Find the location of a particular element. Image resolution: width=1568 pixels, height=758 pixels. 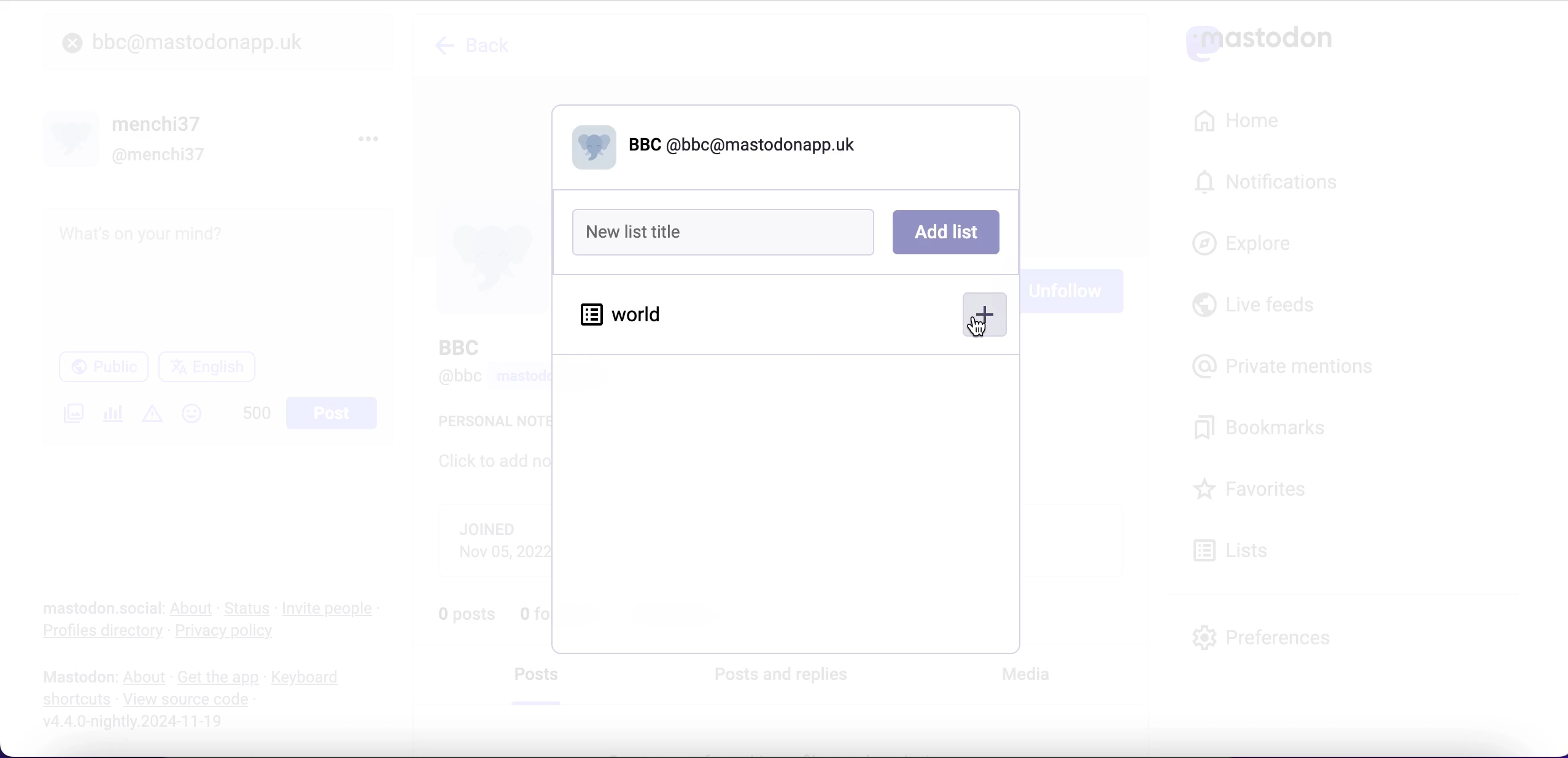

lists is located at coordinates (1238, 549).